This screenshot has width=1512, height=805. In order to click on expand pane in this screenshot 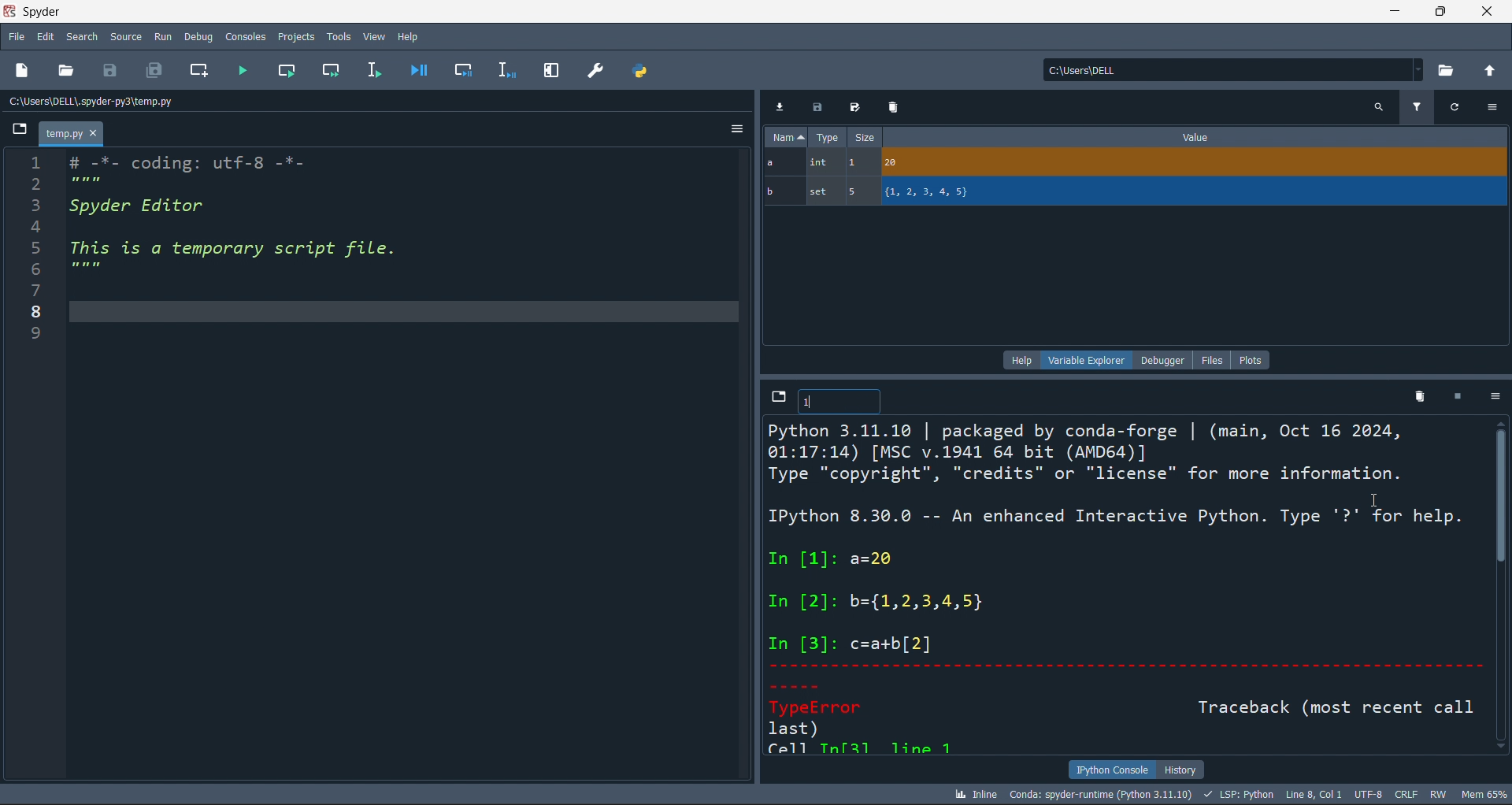, I will do `click(551, 71)`.